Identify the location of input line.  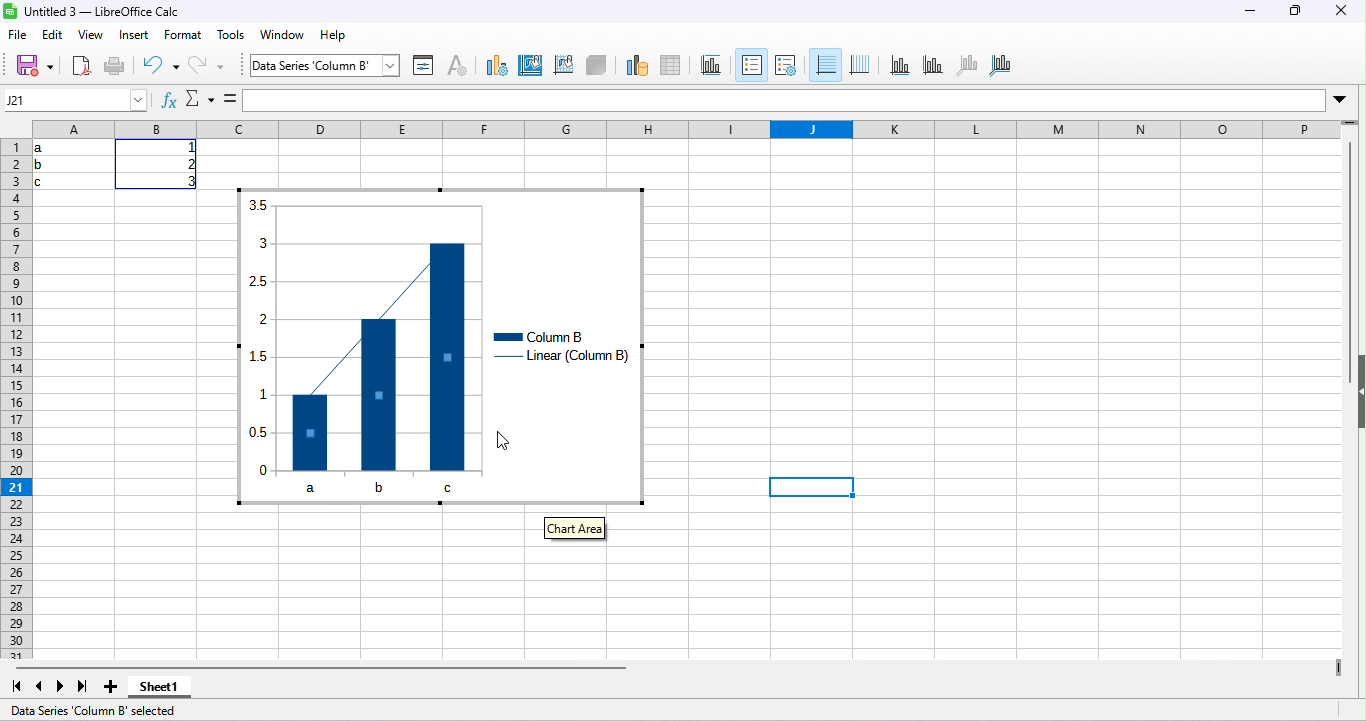
(783, 101).